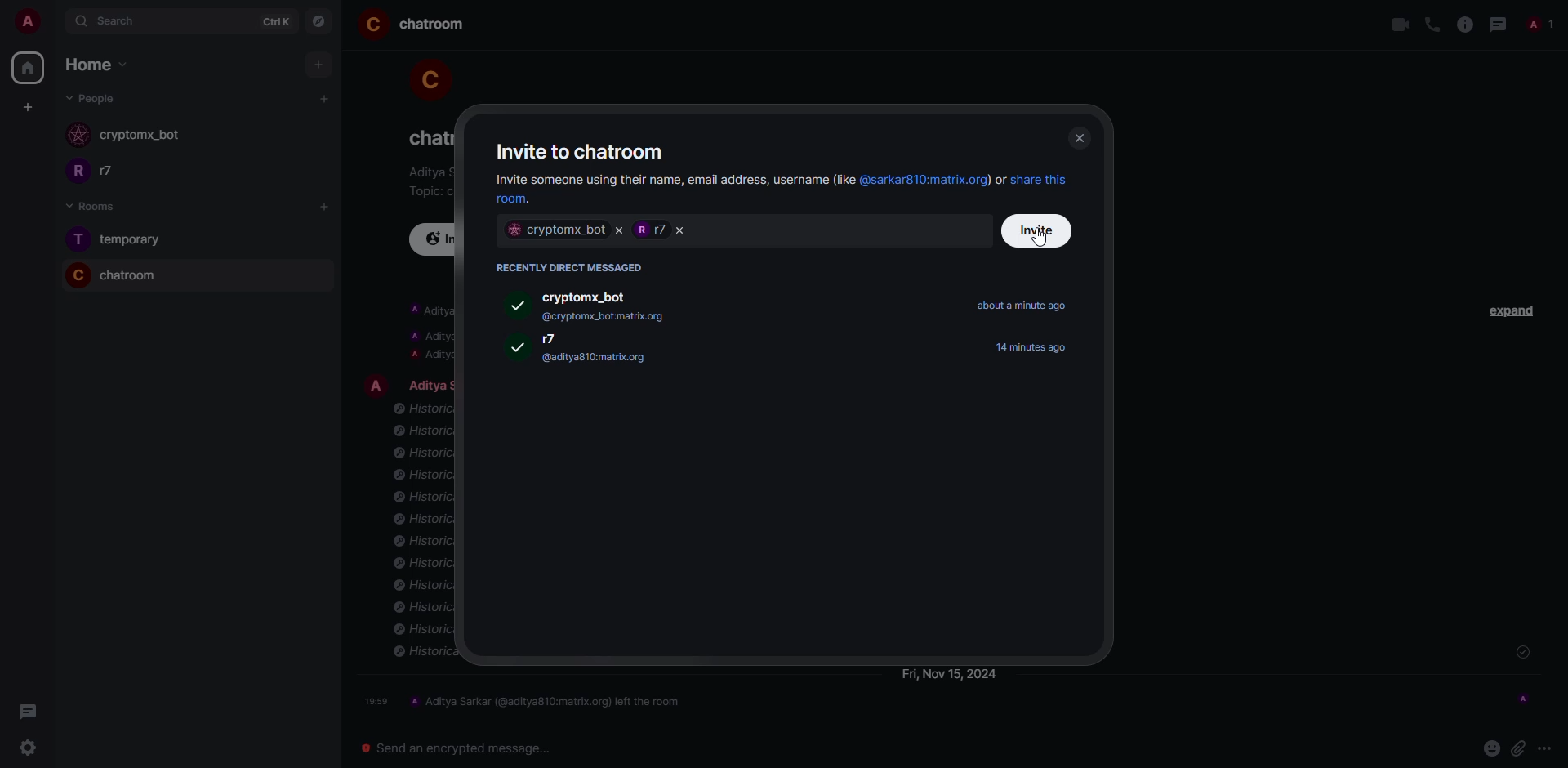  I want to click on room, so click(131, 275).